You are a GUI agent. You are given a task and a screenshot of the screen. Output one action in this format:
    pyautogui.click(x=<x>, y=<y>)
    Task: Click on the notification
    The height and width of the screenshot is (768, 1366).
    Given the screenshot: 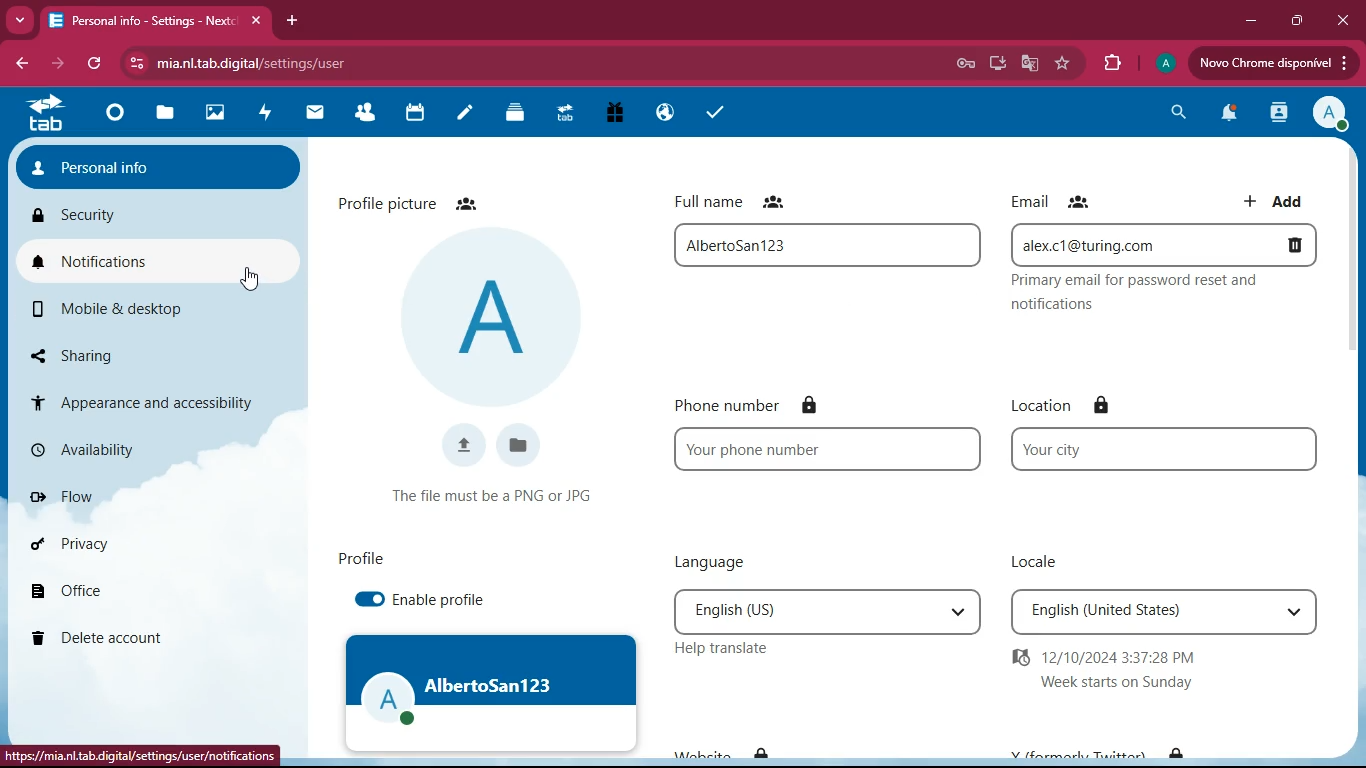 What is the action you would take?
    pyautogui.click(x=1223, y=116)
    